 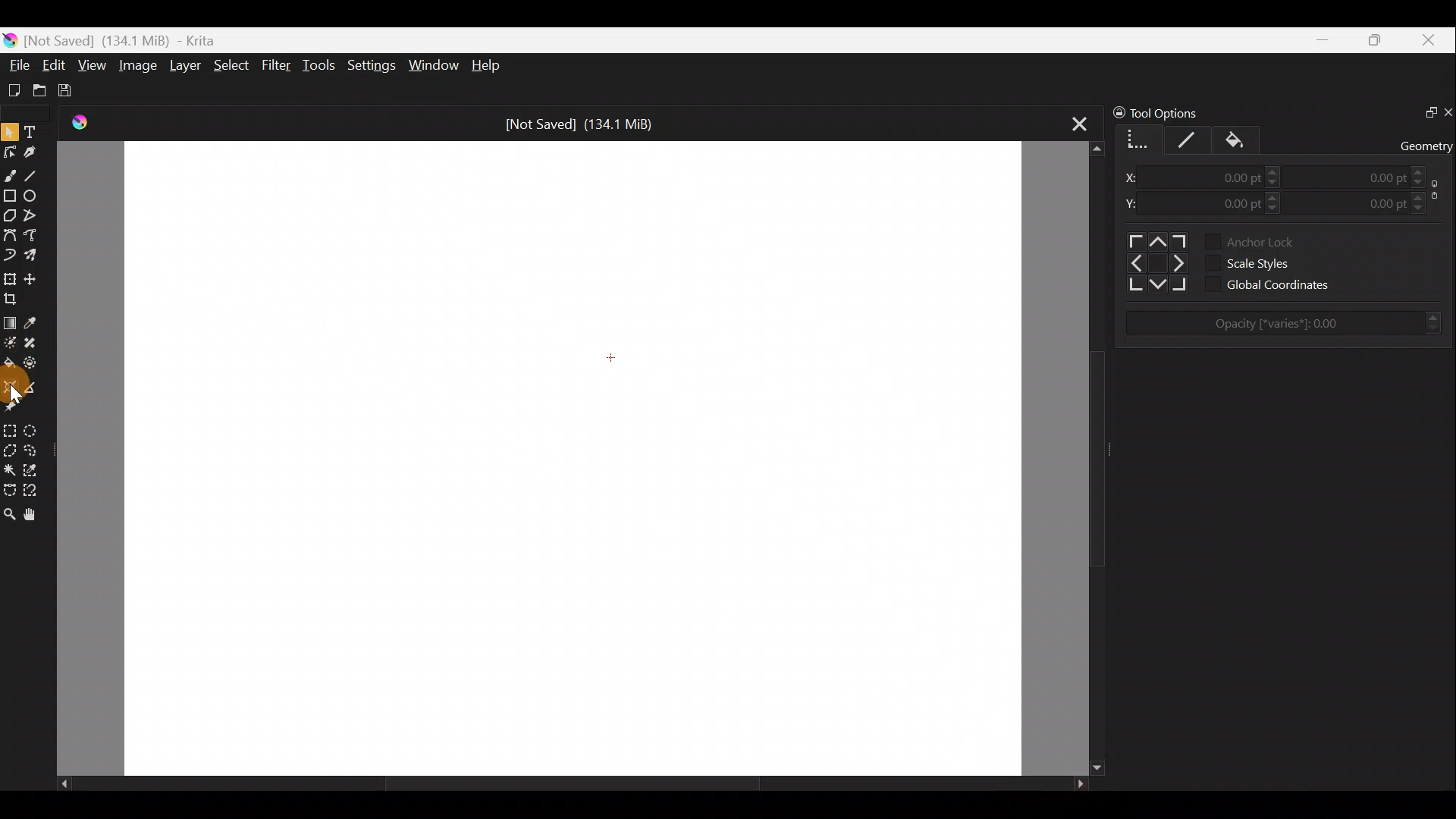 What do you see at coordinates (30, 514) in the screenshot?
I see `Pan tool` at bounding box center [30, 514].